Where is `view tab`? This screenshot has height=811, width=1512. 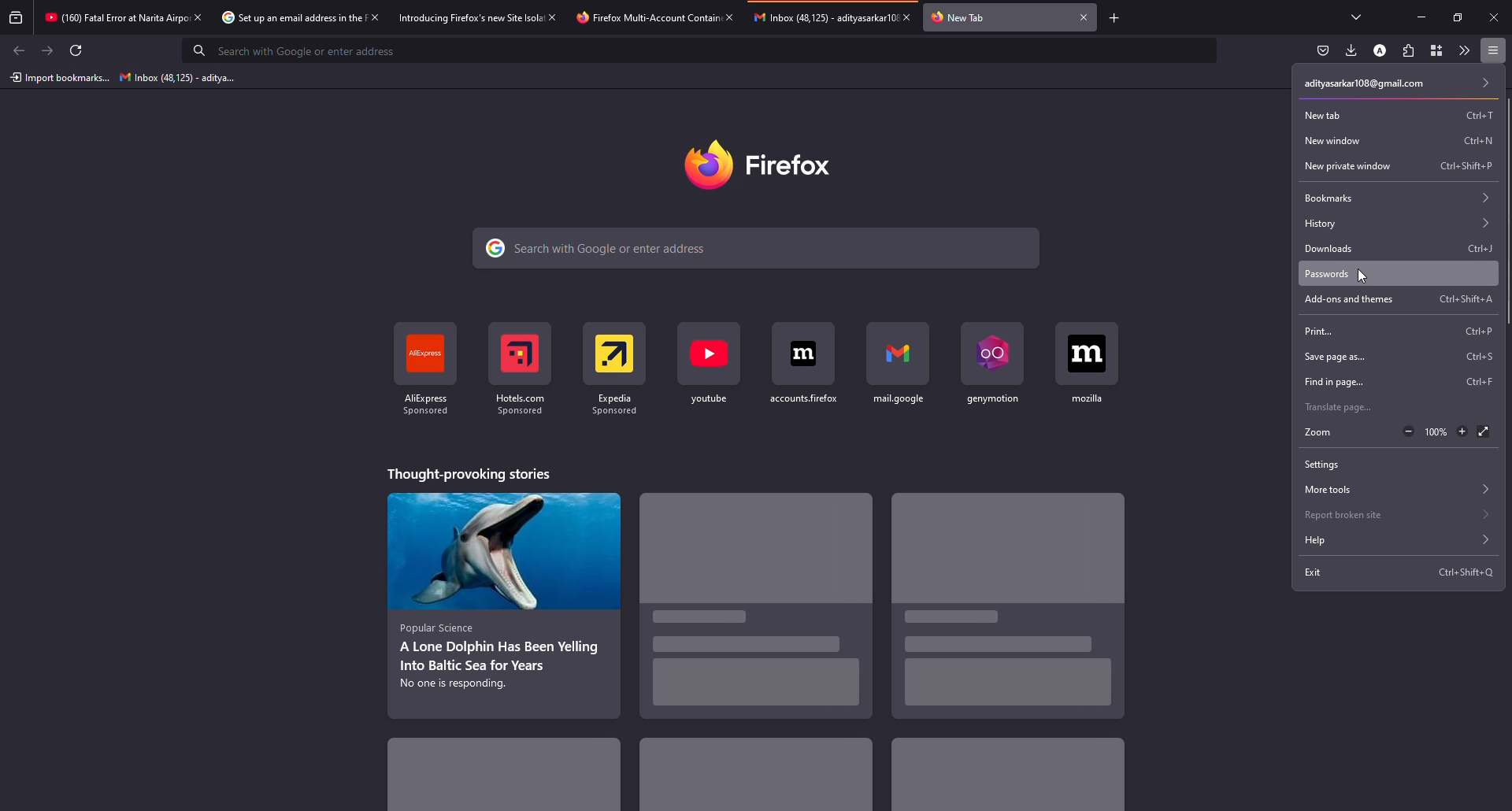 view tab is located at coordinates (1357, 17).